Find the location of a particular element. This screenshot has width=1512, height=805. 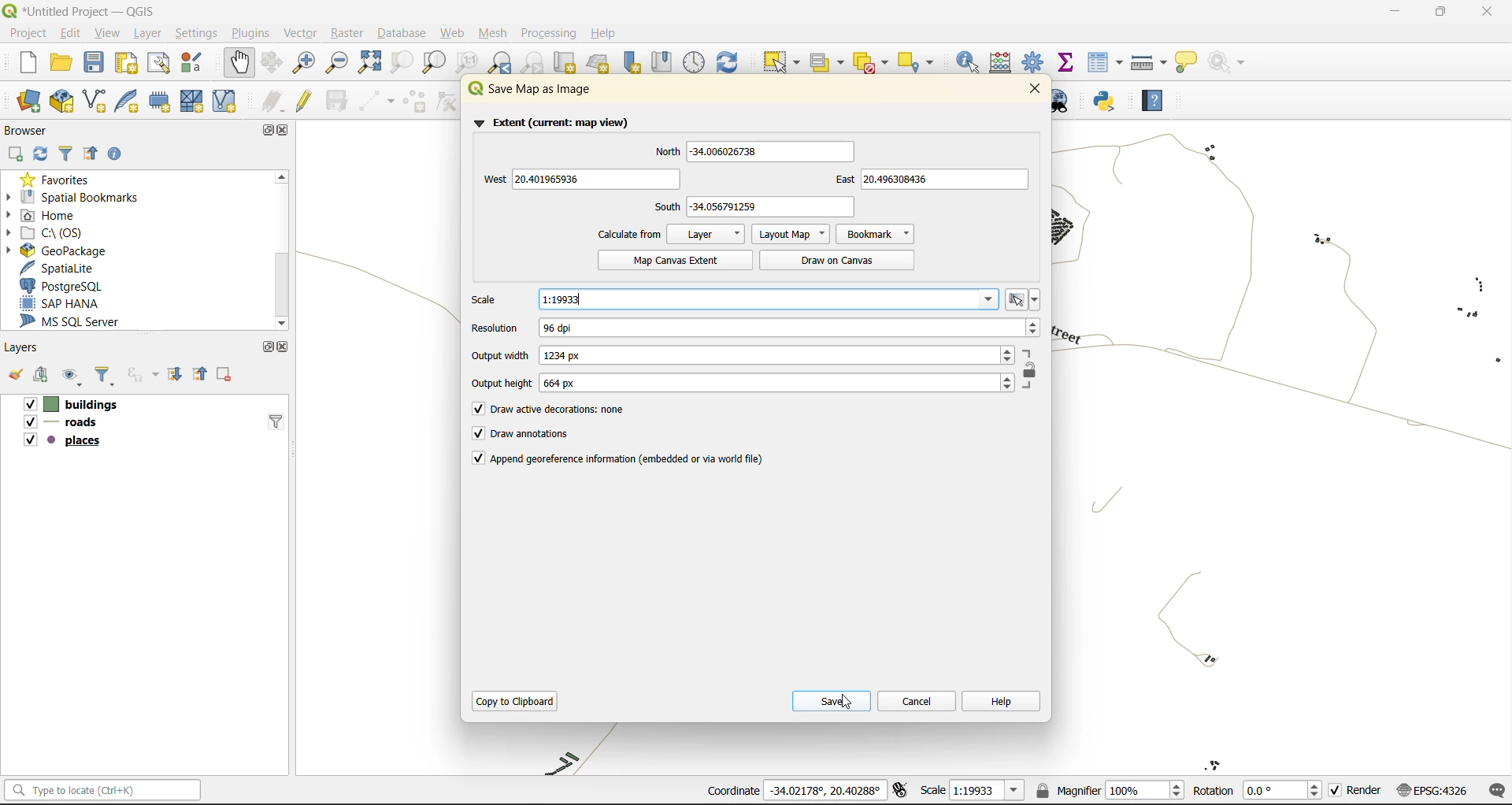

print layout is located at coordinates (124, 61).